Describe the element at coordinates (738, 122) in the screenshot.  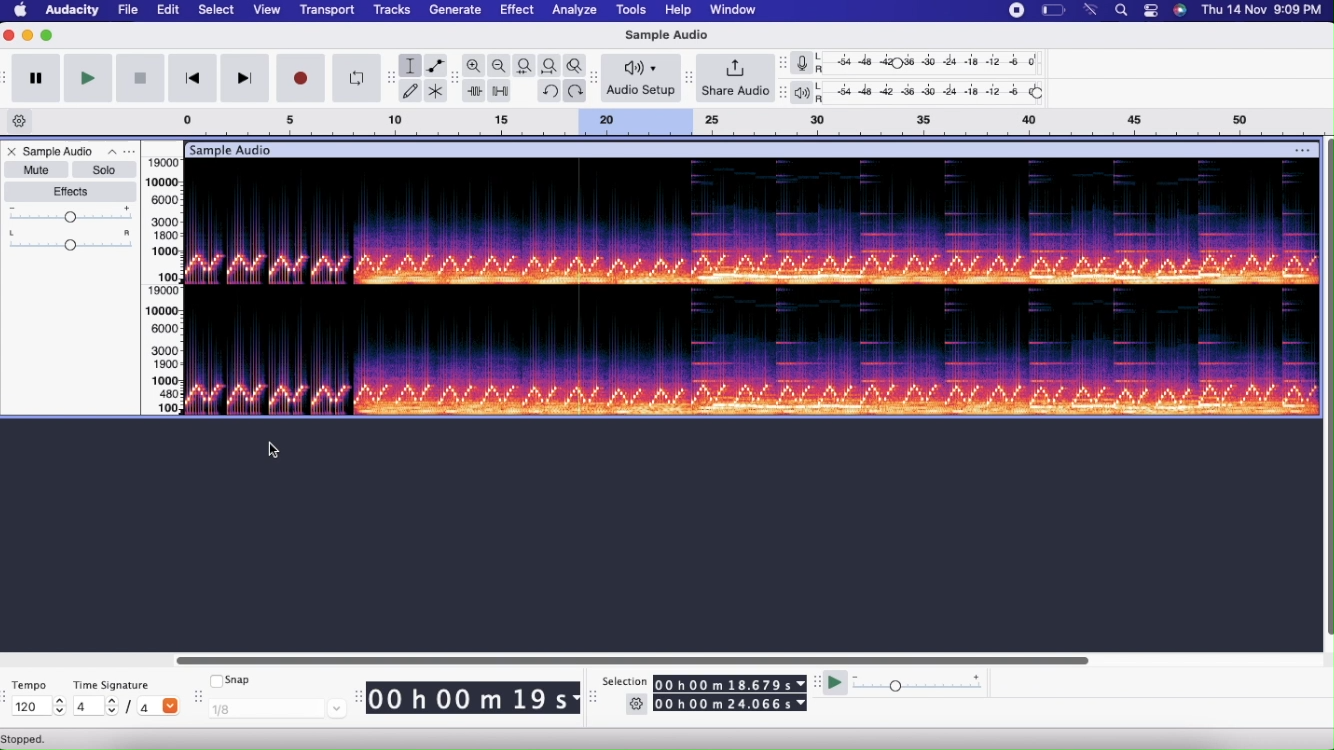
I see `Click and drag to define a looping region` at that location.